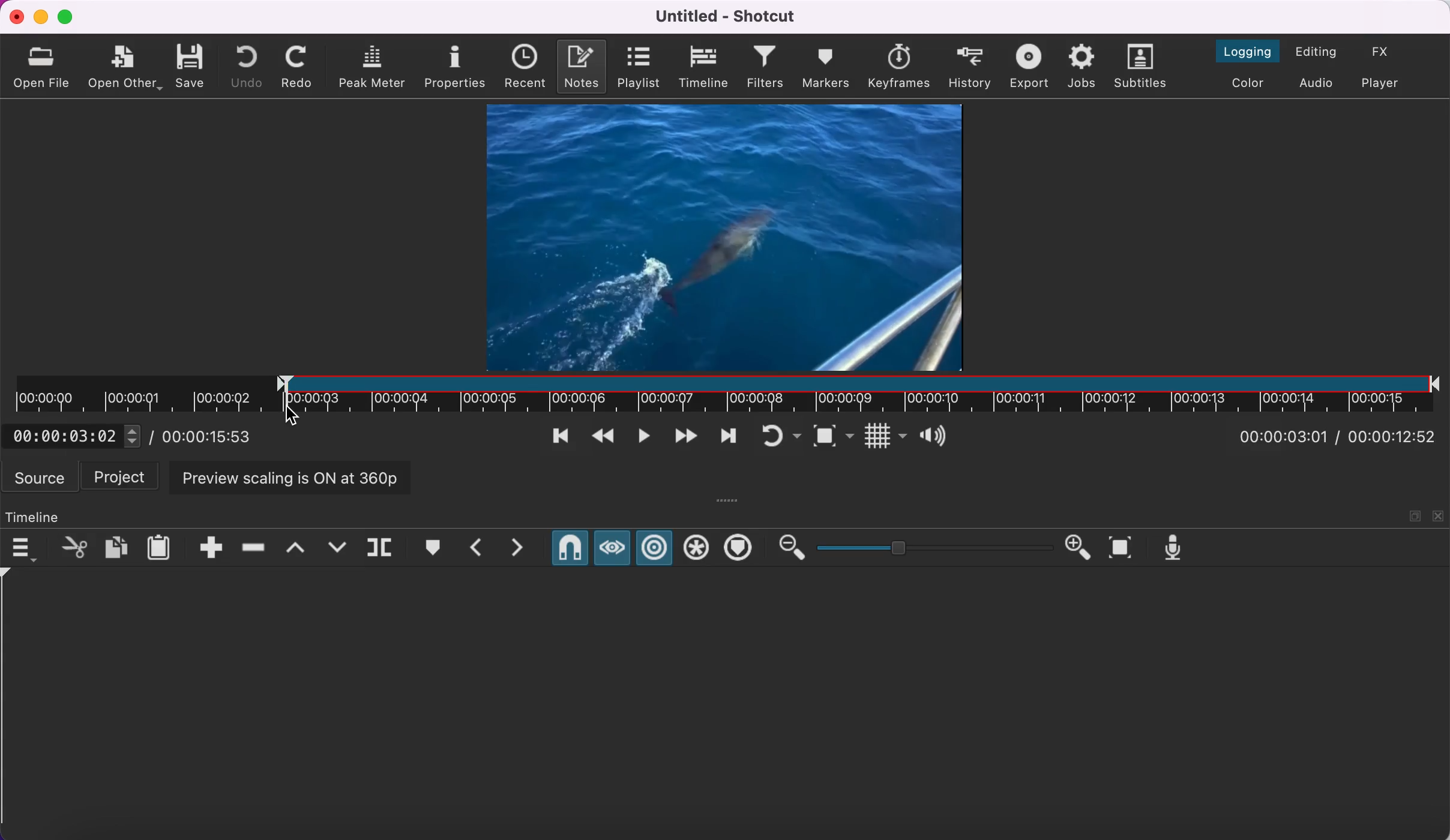 The image size is (1450, 840). I want to click on close, so click(1439, 515).